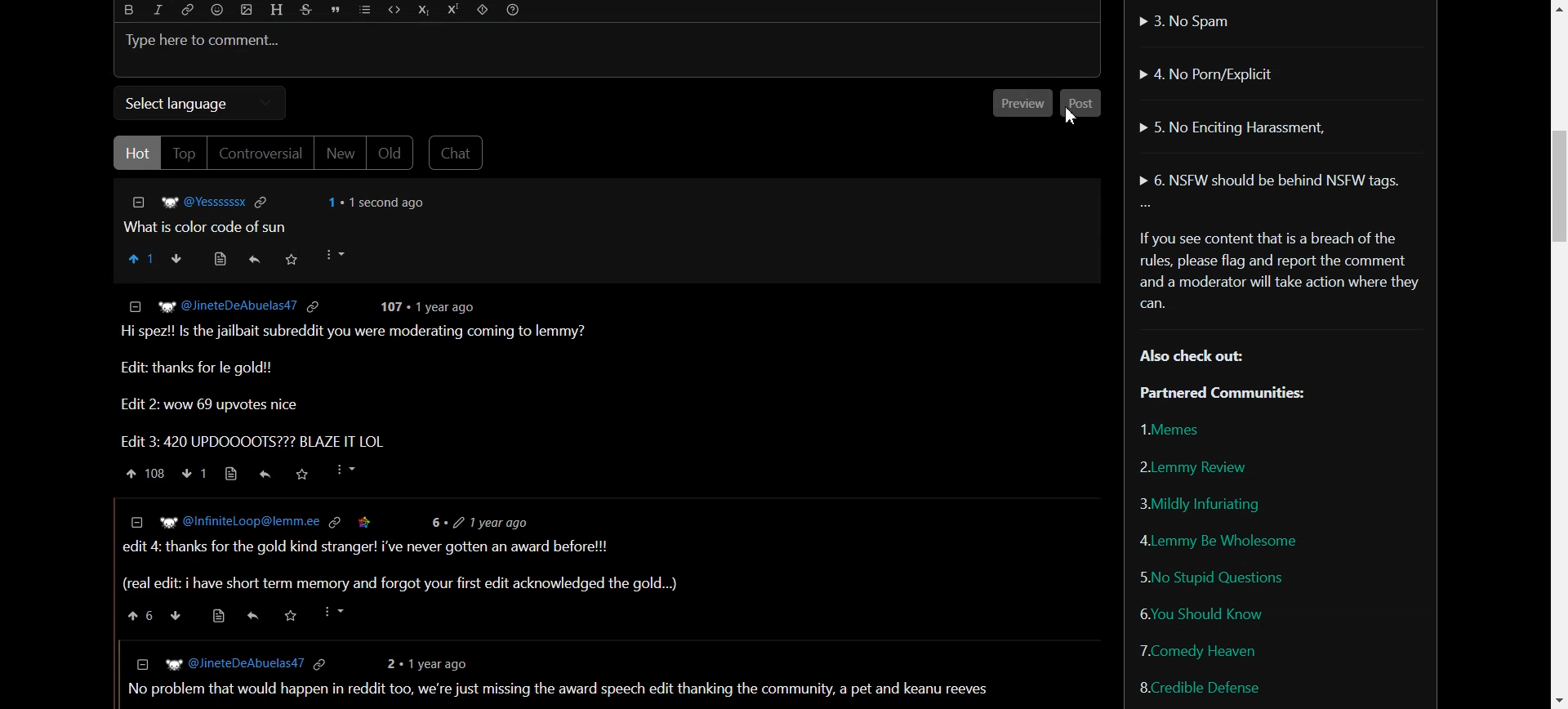 Image resolution: width=1568 pixels, height=709 pixels. What do you see at coordinates (457, 153) in the screenshot?
I see `Chat` at bounding box center [457, 153].